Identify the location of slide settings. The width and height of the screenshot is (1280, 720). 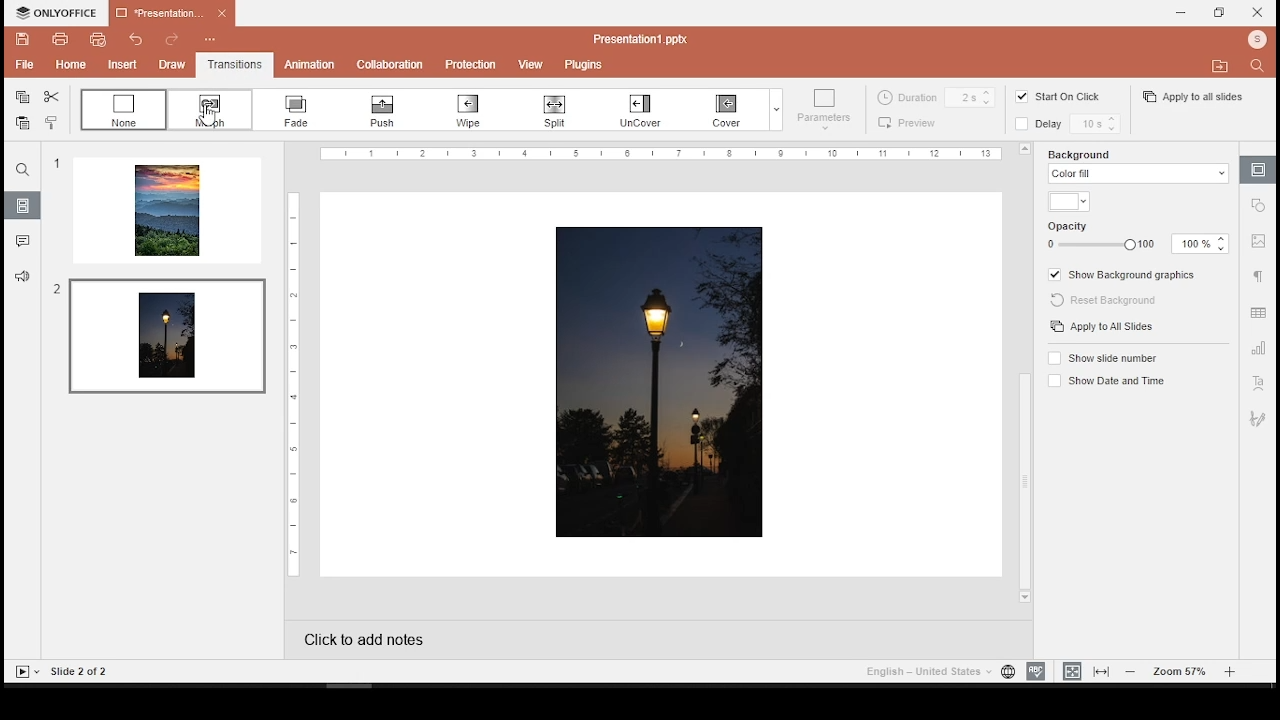
(1258, 170).